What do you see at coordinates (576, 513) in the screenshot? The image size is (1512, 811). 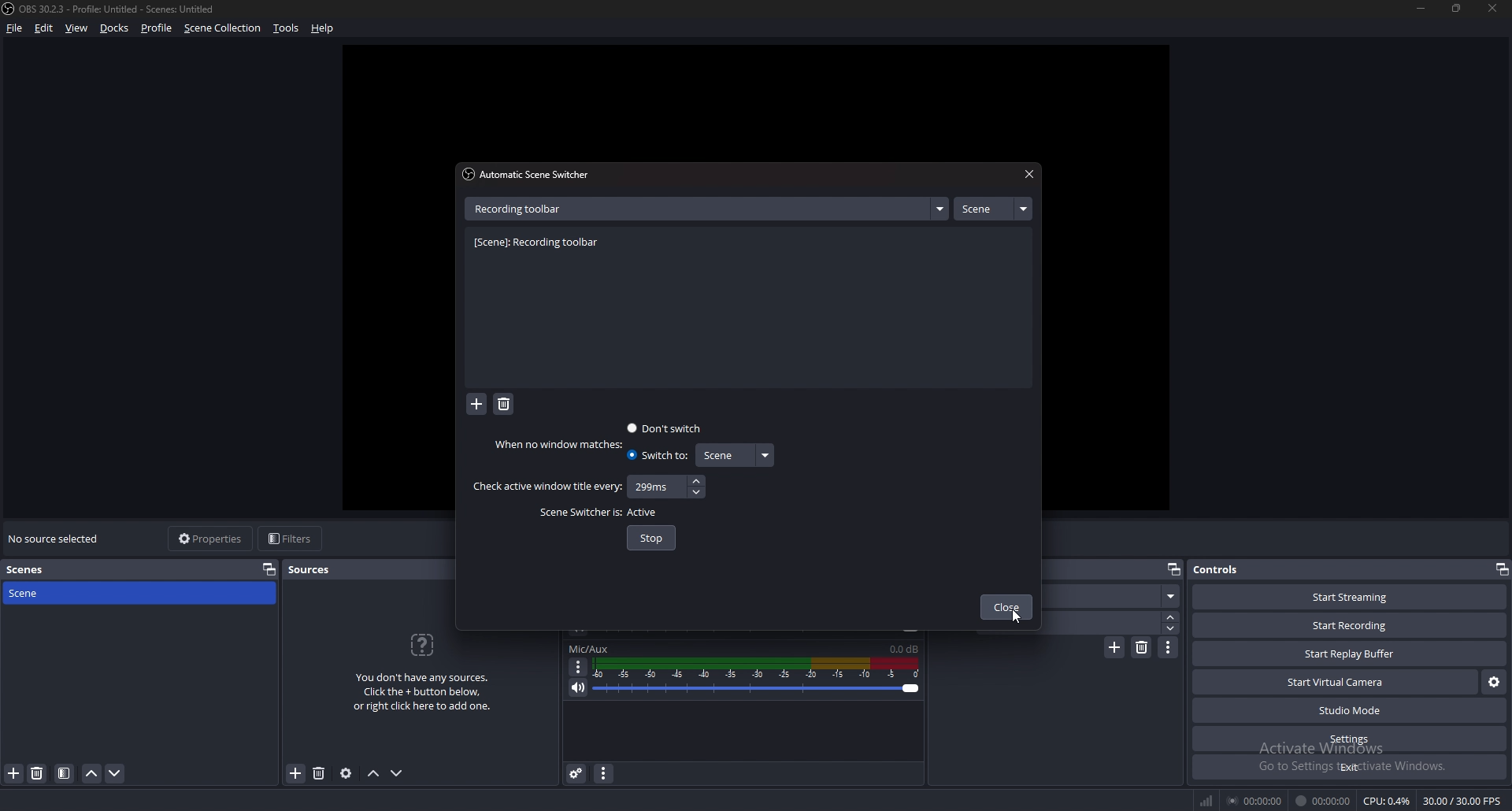 I see `scene swithcer is` at bounding box center [576, 513].